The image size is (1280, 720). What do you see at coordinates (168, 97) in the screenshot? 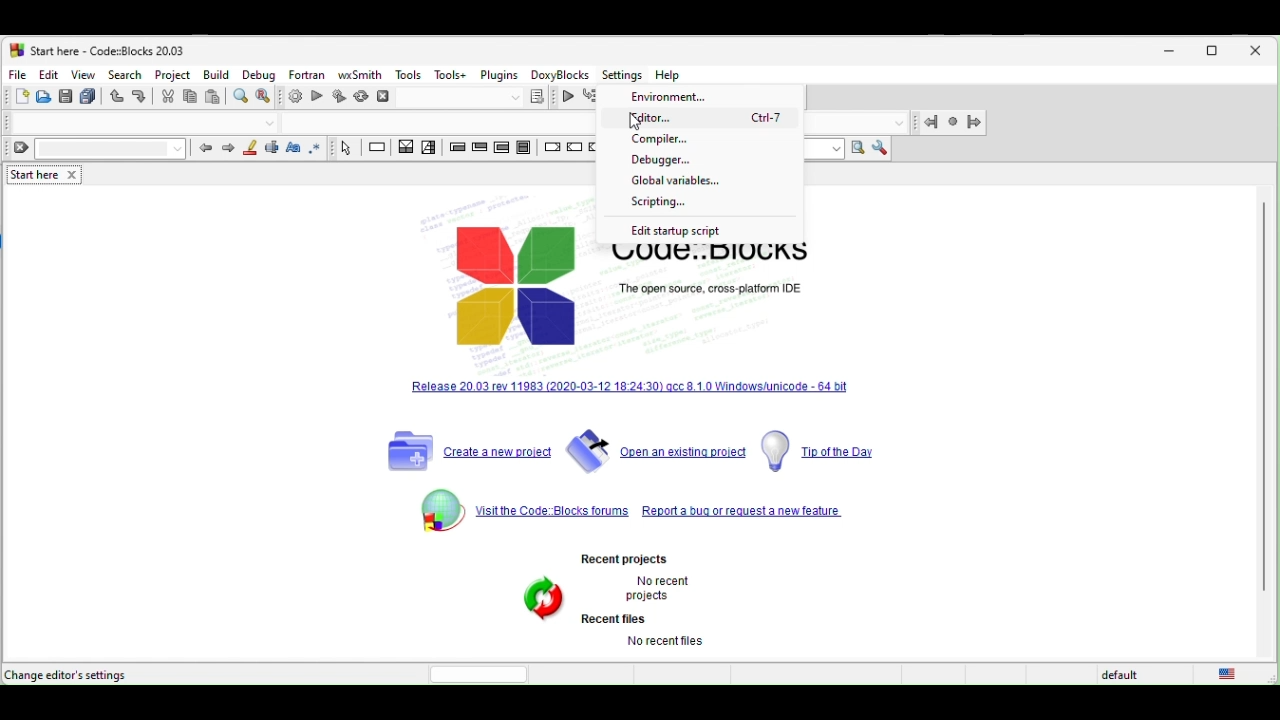
I see `cut` at bounding box center [168, 97].